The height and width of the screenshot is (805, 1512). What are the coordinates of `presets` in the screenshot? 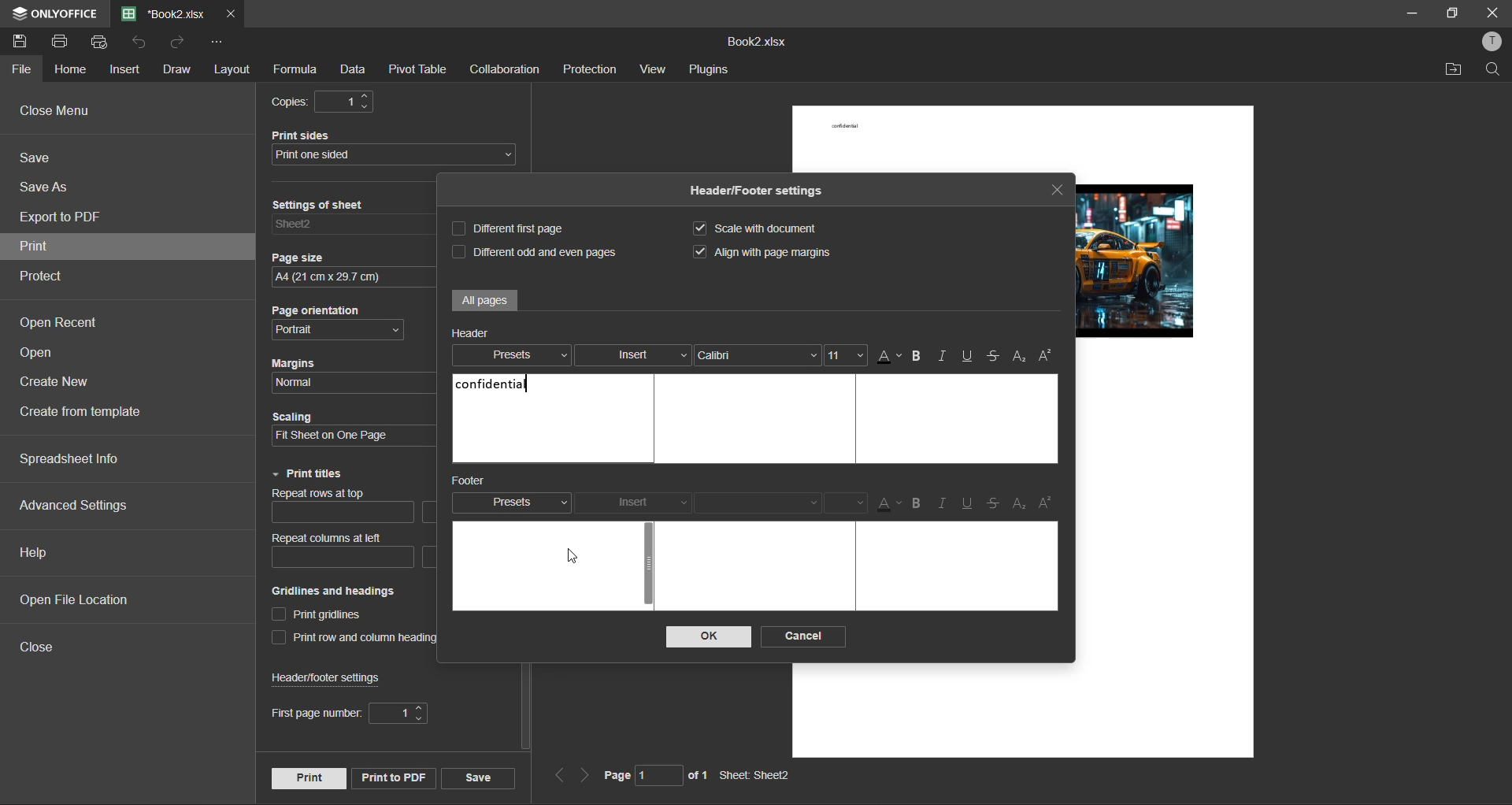 It's located at (513, 356).